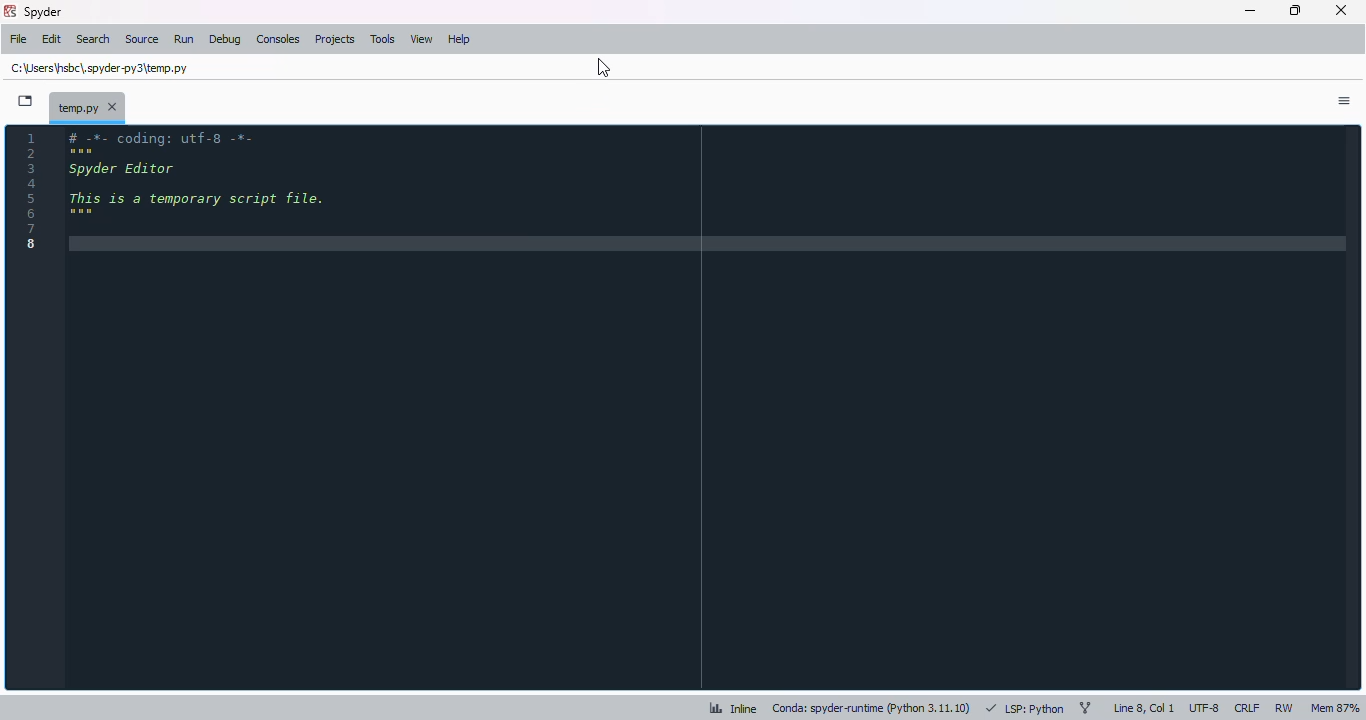  Describe the element at coordinates (1024, 707) in the screenshot. I see `LSP: python` at that location.